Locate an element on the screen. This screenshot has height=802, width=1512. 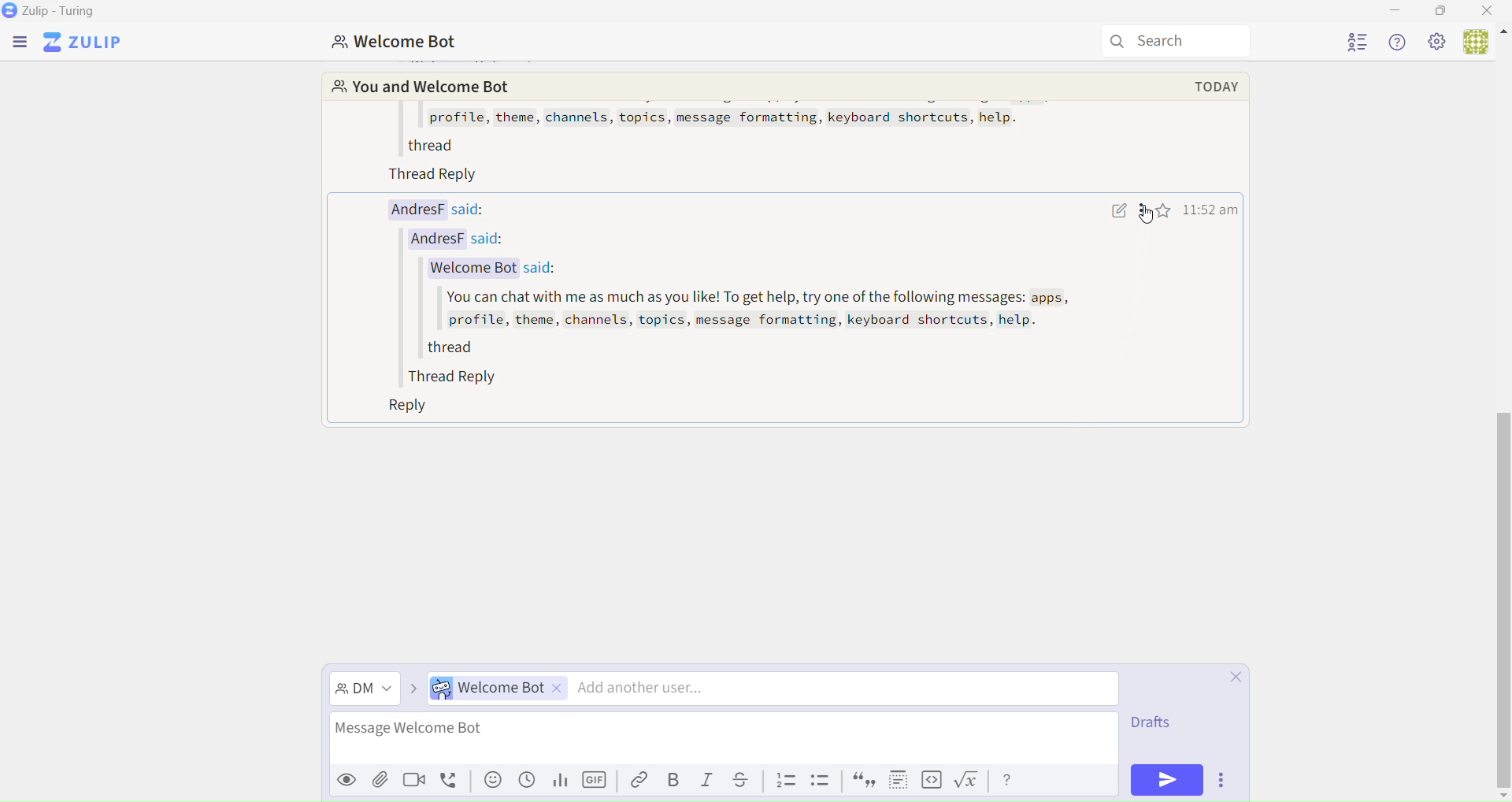
Settings is located at coordinates (1436, 41).